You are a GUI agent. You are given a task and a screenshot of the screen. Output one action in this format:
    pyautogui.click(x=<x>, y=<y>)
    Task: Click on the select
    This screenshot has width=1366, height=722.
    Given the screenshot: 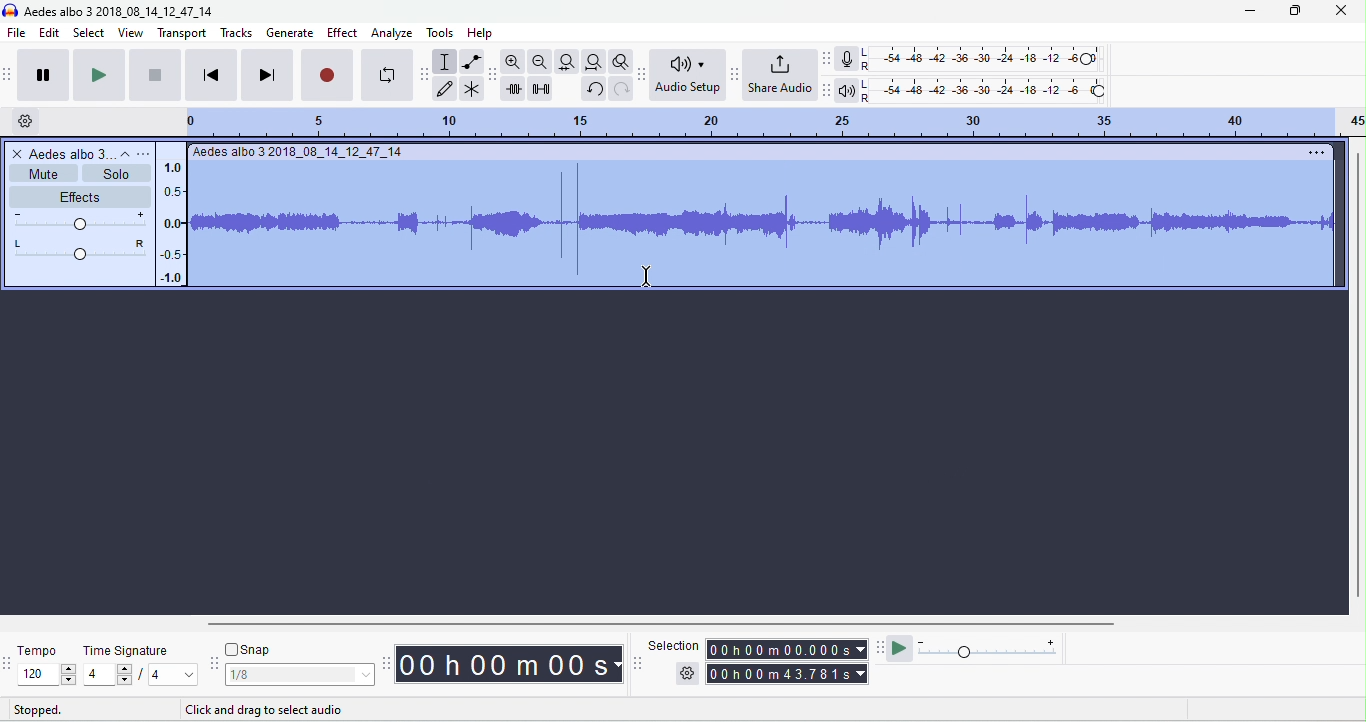 What is the action you would take?
    pyautogui.click(x=90, y=33)
    